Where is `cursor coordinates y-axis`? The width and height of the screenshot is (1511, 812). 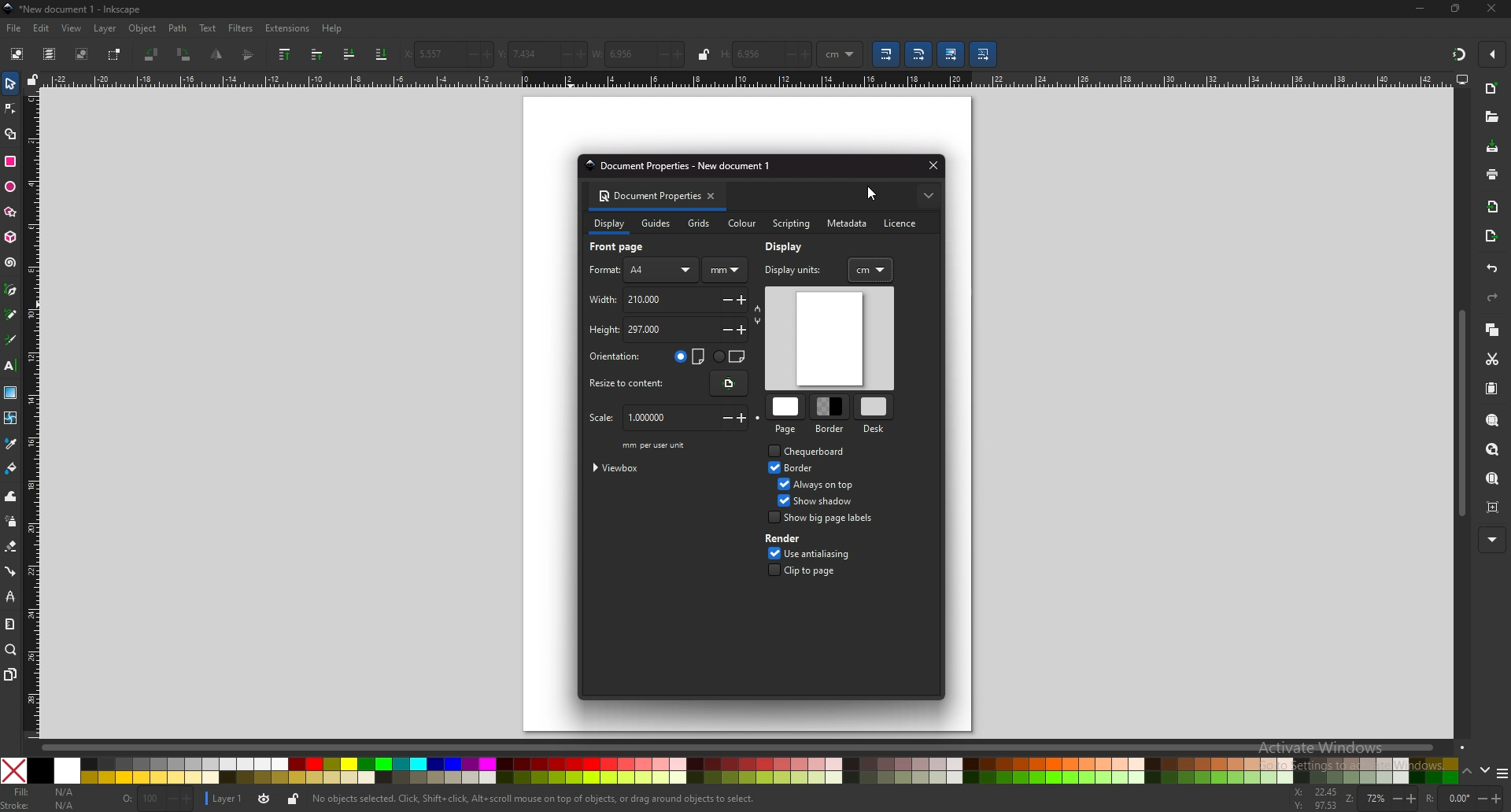
cursor coordinates y-axis is located at coordinates (1312, 806).